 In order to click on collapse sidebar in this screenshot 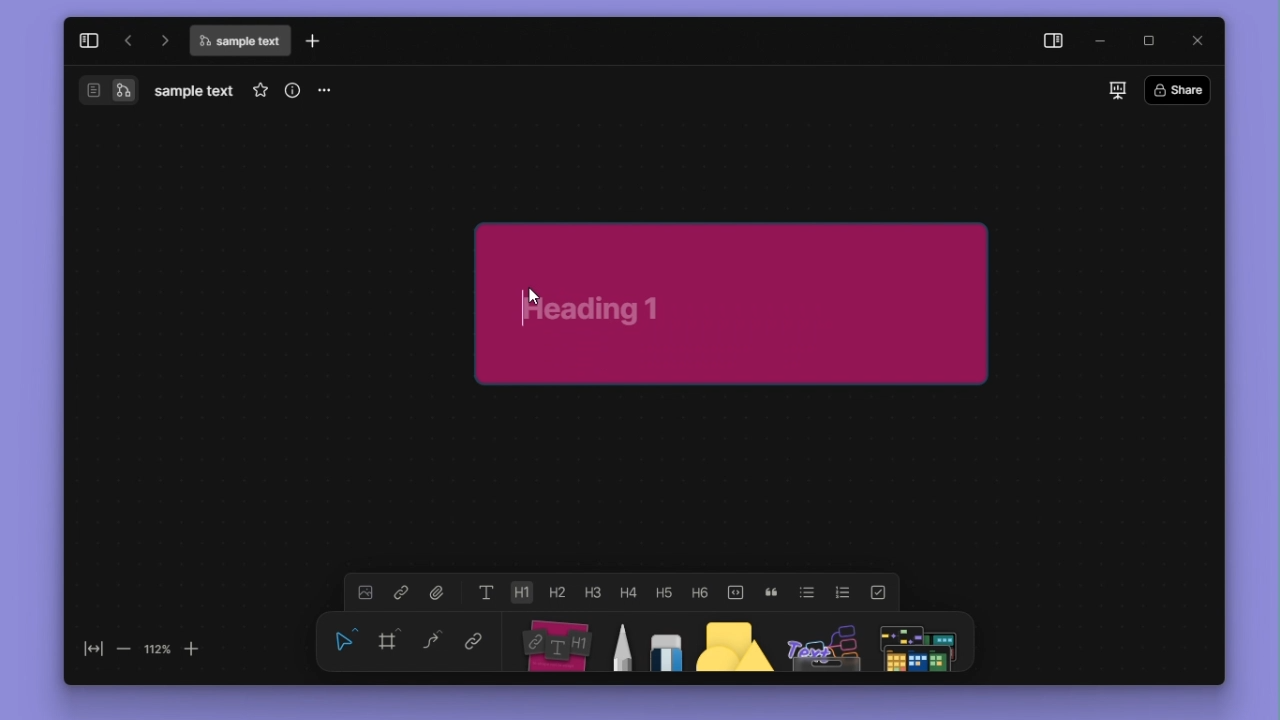, I will do `click(89, 41)`.